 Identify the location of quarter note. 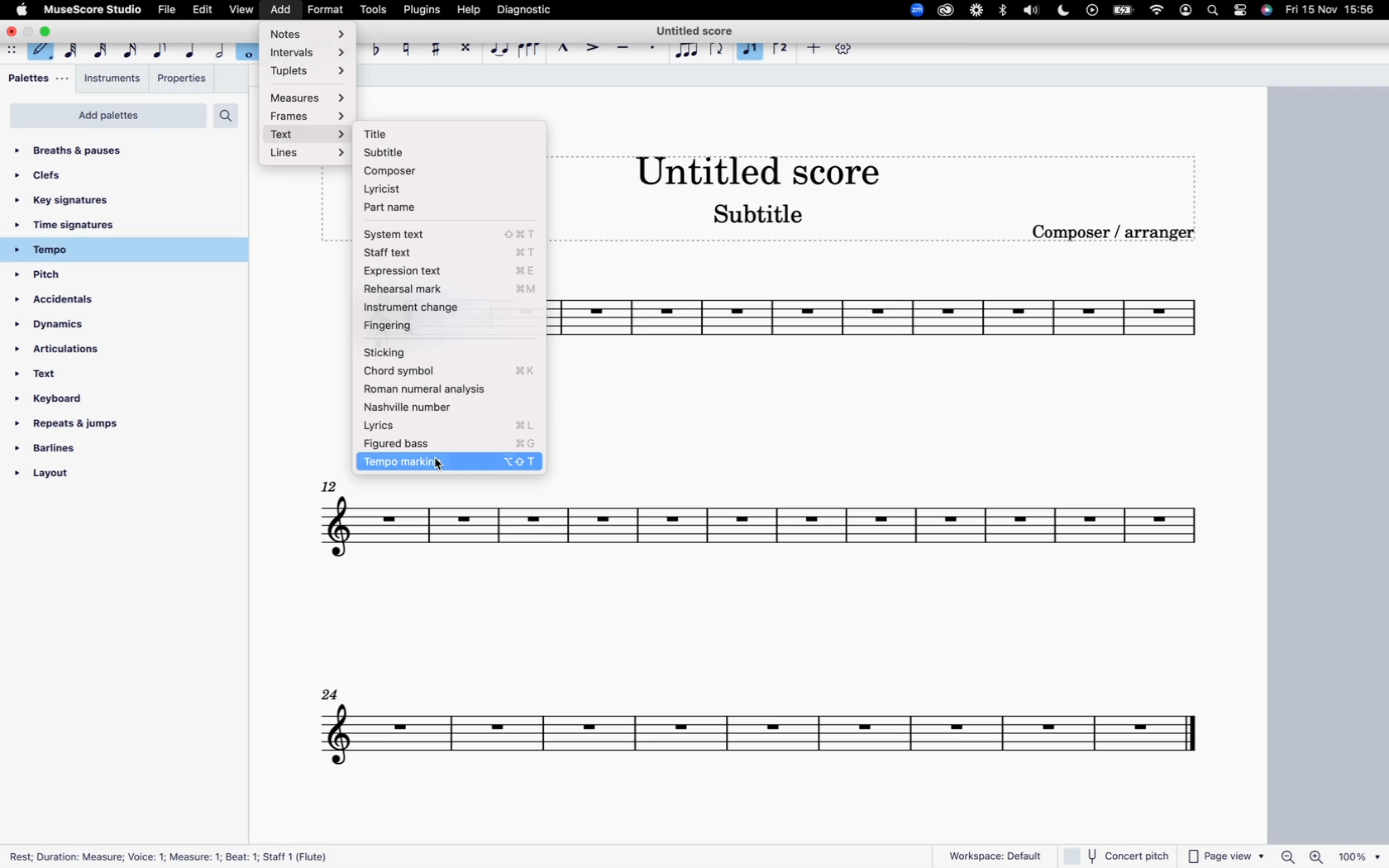
(191, 51).